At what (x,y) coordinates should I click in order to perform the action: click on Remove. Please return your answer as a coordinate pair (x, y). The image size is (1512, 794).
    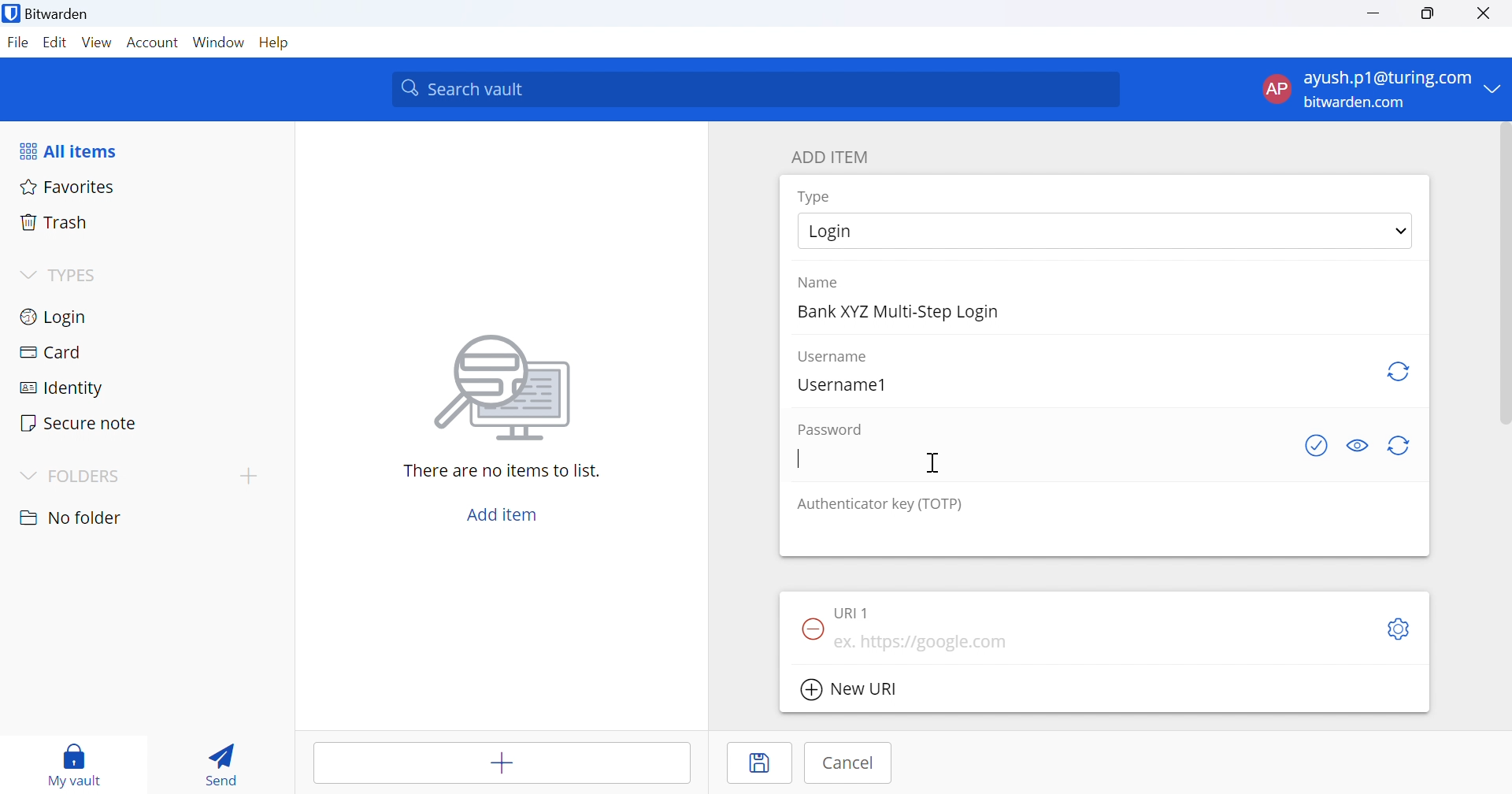
    Looking at the image, I should click on (810, 627).